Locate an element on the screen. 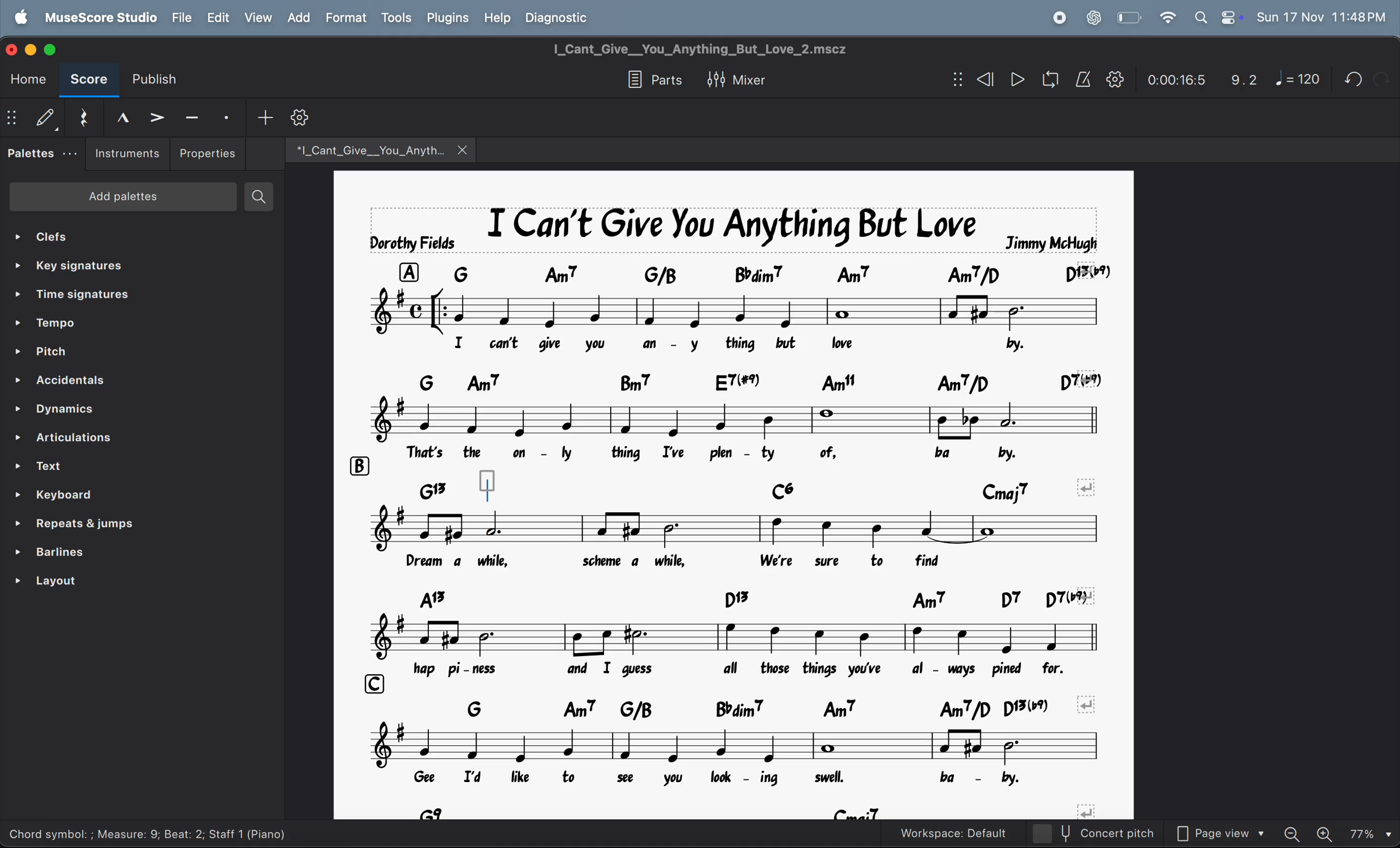 The image size is (1400, 848). c row is located at coordinates (371, 682).